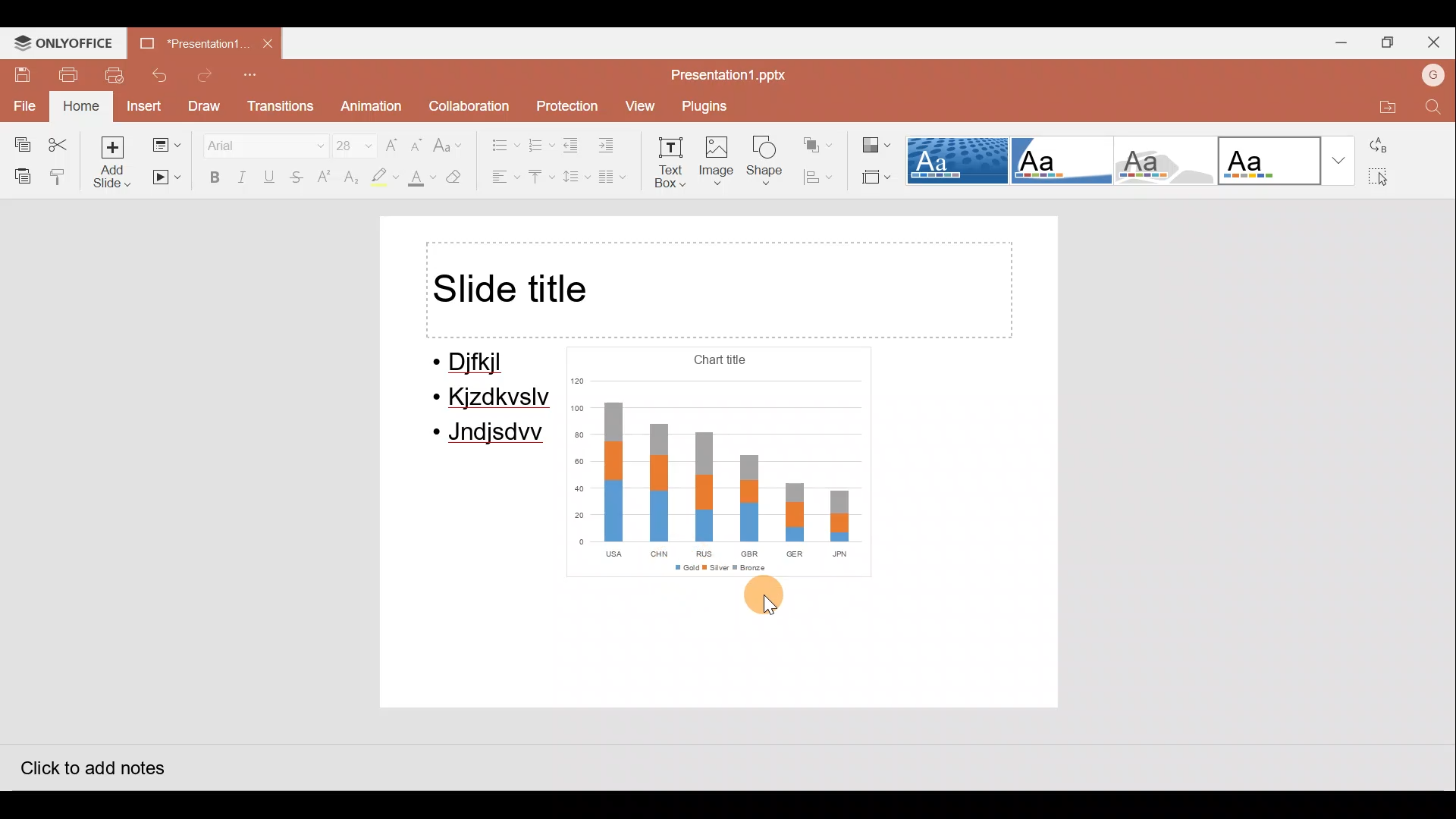  What do you see at coordinates (540, 178) in the screenshot?
I see `Vertical align` at bounding box center [540, 178].